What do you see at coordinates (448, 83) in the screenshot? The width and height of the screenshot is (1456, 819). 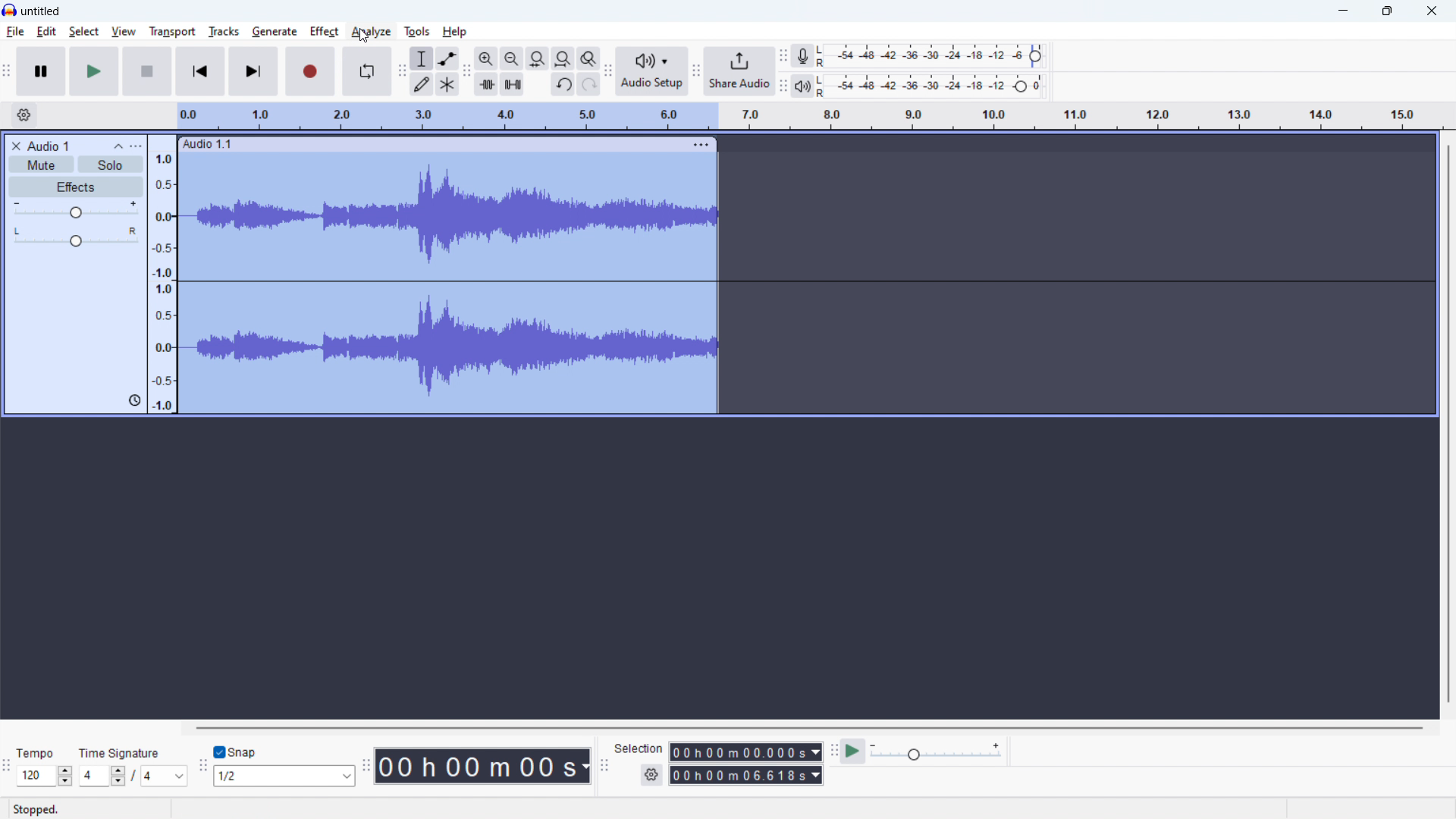 I see `multi tool` at bounding box center [448, 83].